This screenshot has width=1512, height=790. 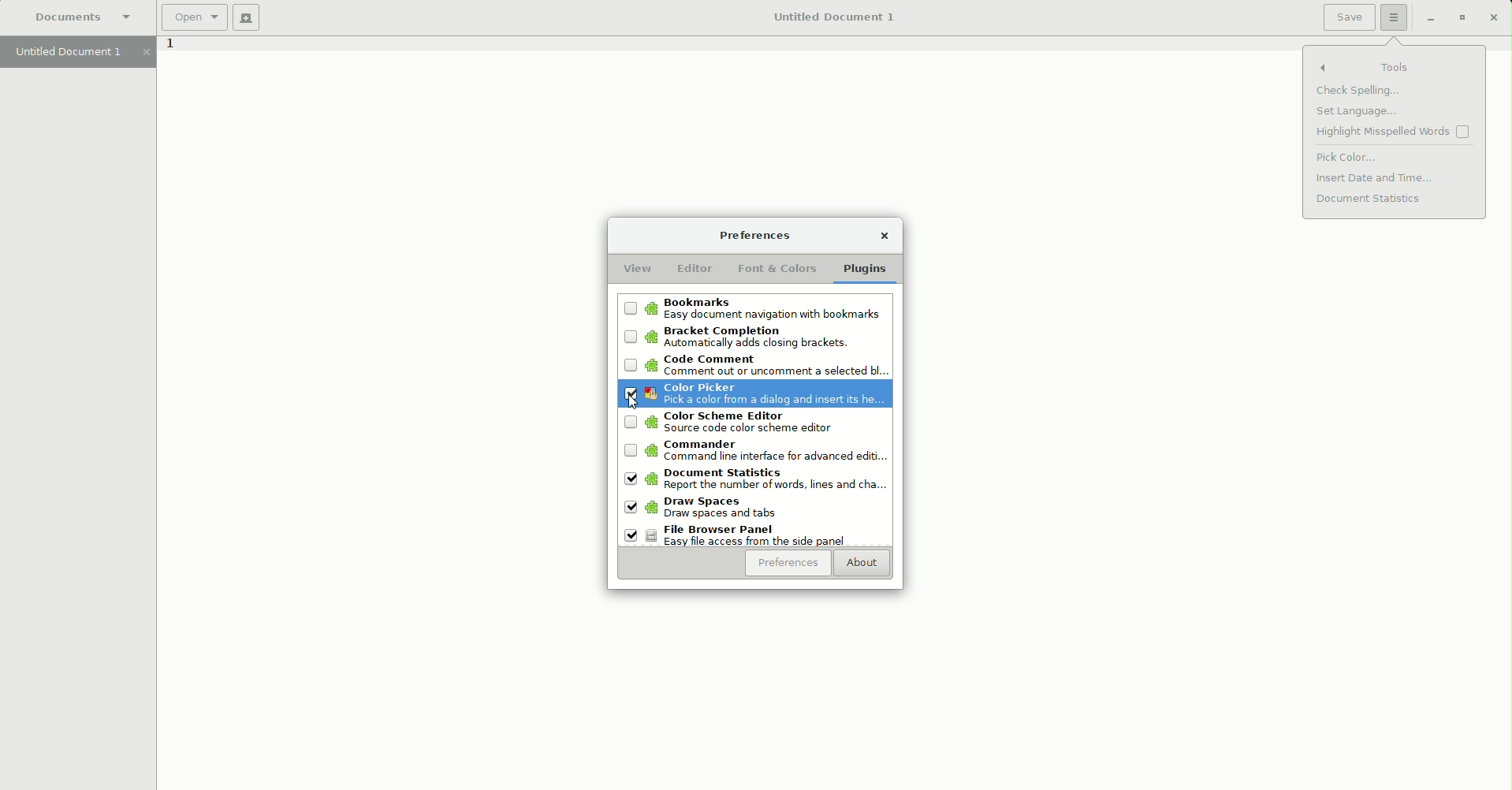 What do you see at coordinates (78, 53) in the screenshot?
I see `Untitled document 1` at bounding box center [78, 53].